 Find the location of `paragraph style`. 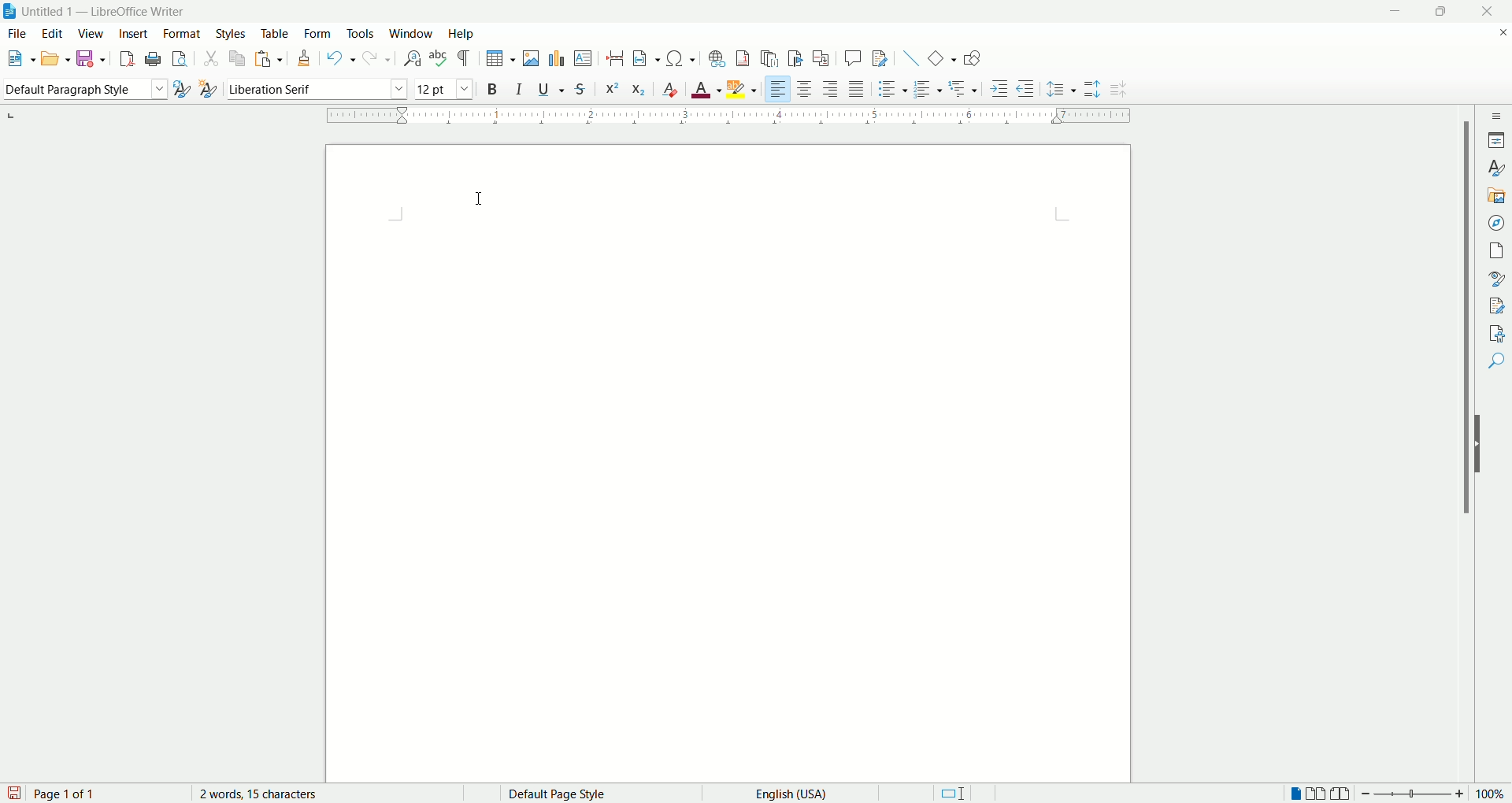

paragraph style is located at coordinates (85, 90).